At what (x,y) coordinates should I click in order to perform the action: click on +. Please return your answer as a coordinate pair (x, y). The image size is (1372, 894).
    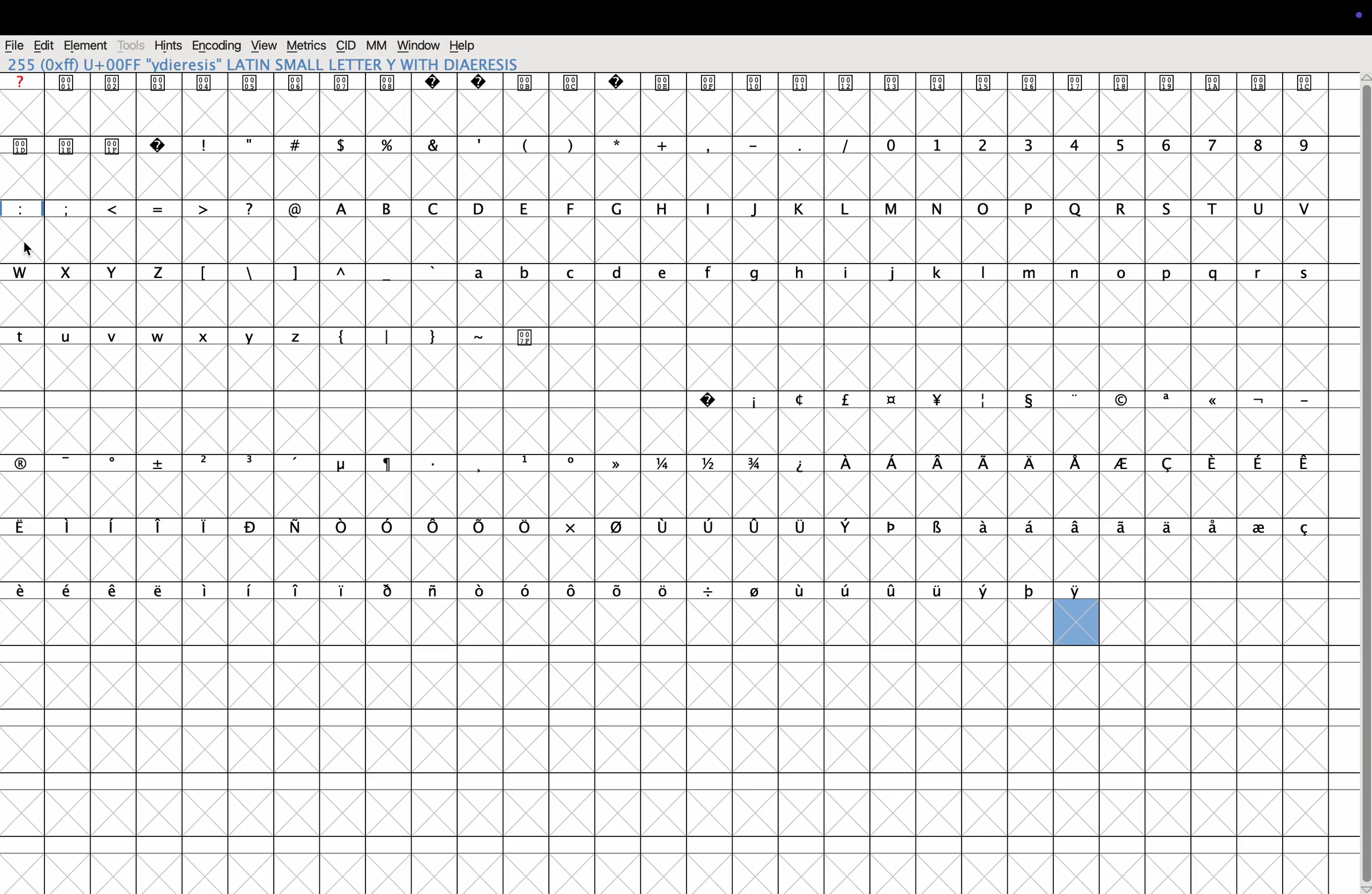
    Looking at the image, I should click on (665, 168).